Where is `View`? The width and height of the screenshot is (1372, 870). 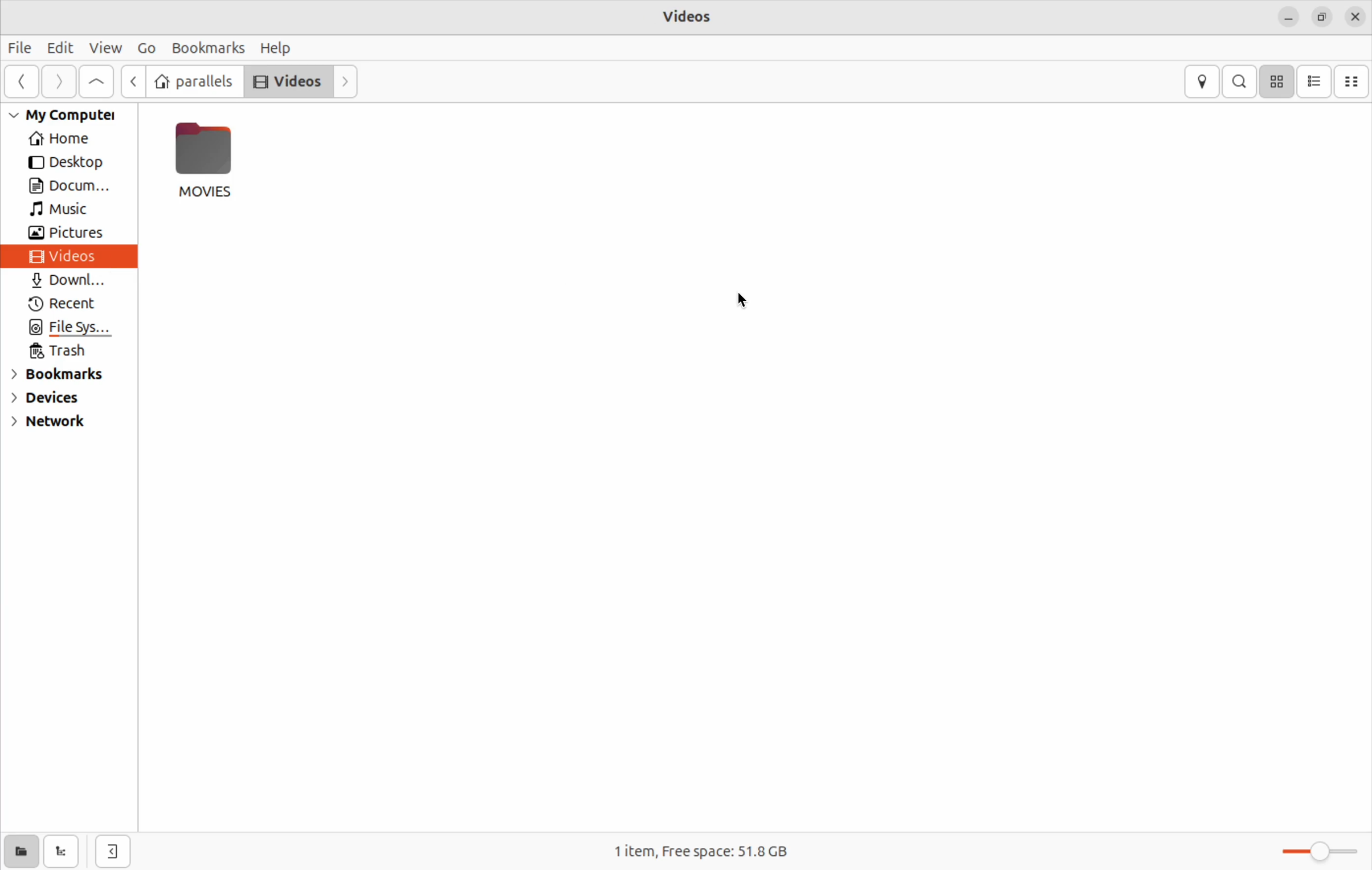
View is located at coordinates (108, 46).